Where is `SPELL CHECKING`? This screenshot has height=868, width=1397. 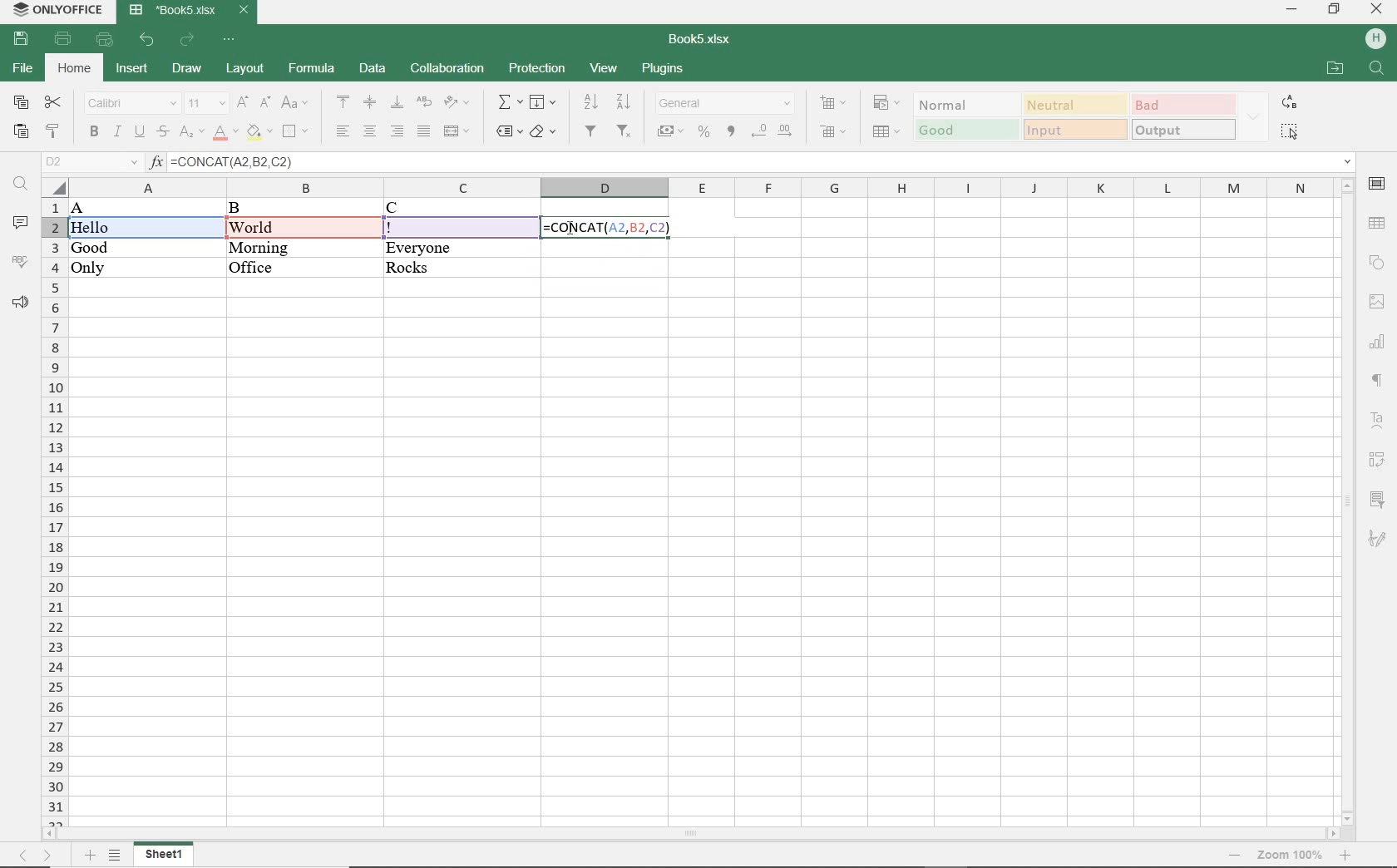
SPELL CHECKING is located at coordinates (19, 259).